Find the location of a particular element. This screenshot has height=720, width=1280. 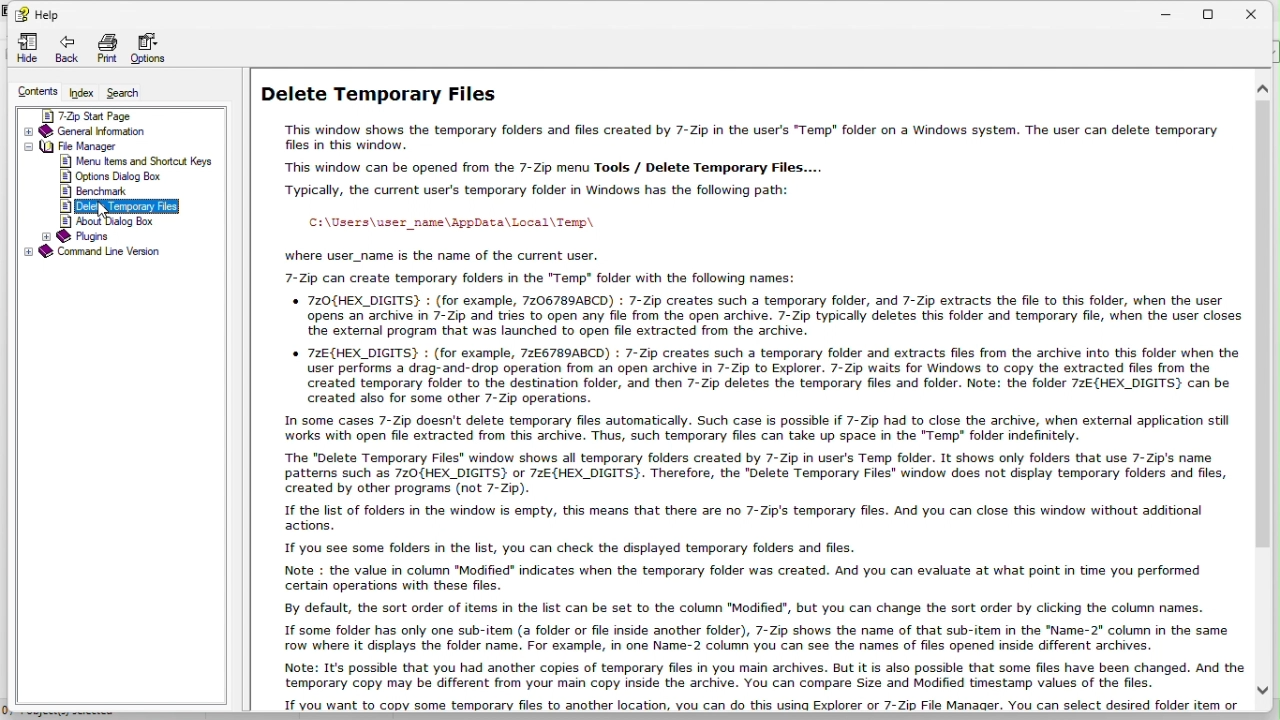

Close is located at coordinates (1261, 12).